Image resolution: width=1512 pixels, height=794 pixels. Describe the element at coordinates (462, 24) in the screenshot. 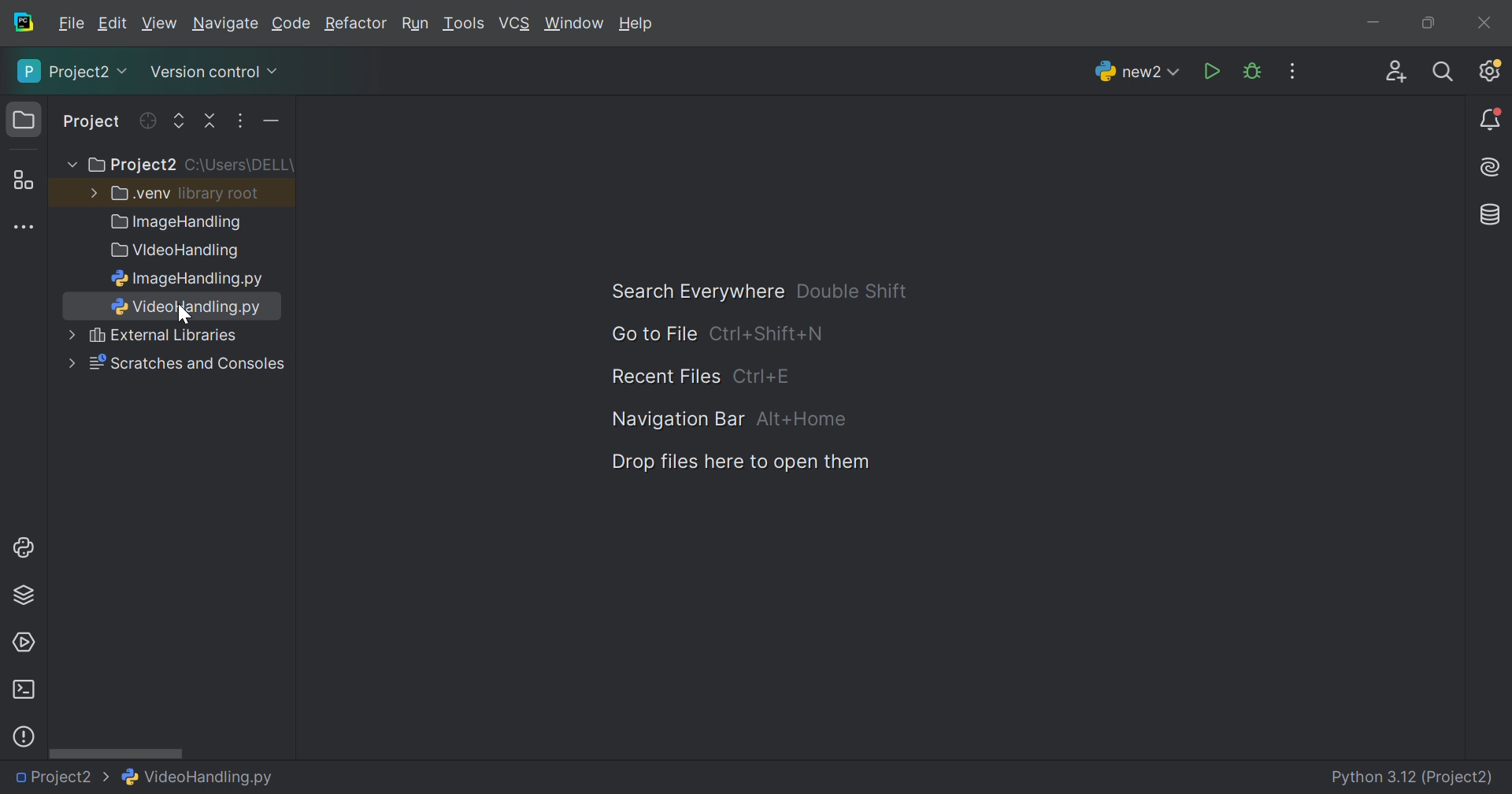

I see `Tools` at that location.